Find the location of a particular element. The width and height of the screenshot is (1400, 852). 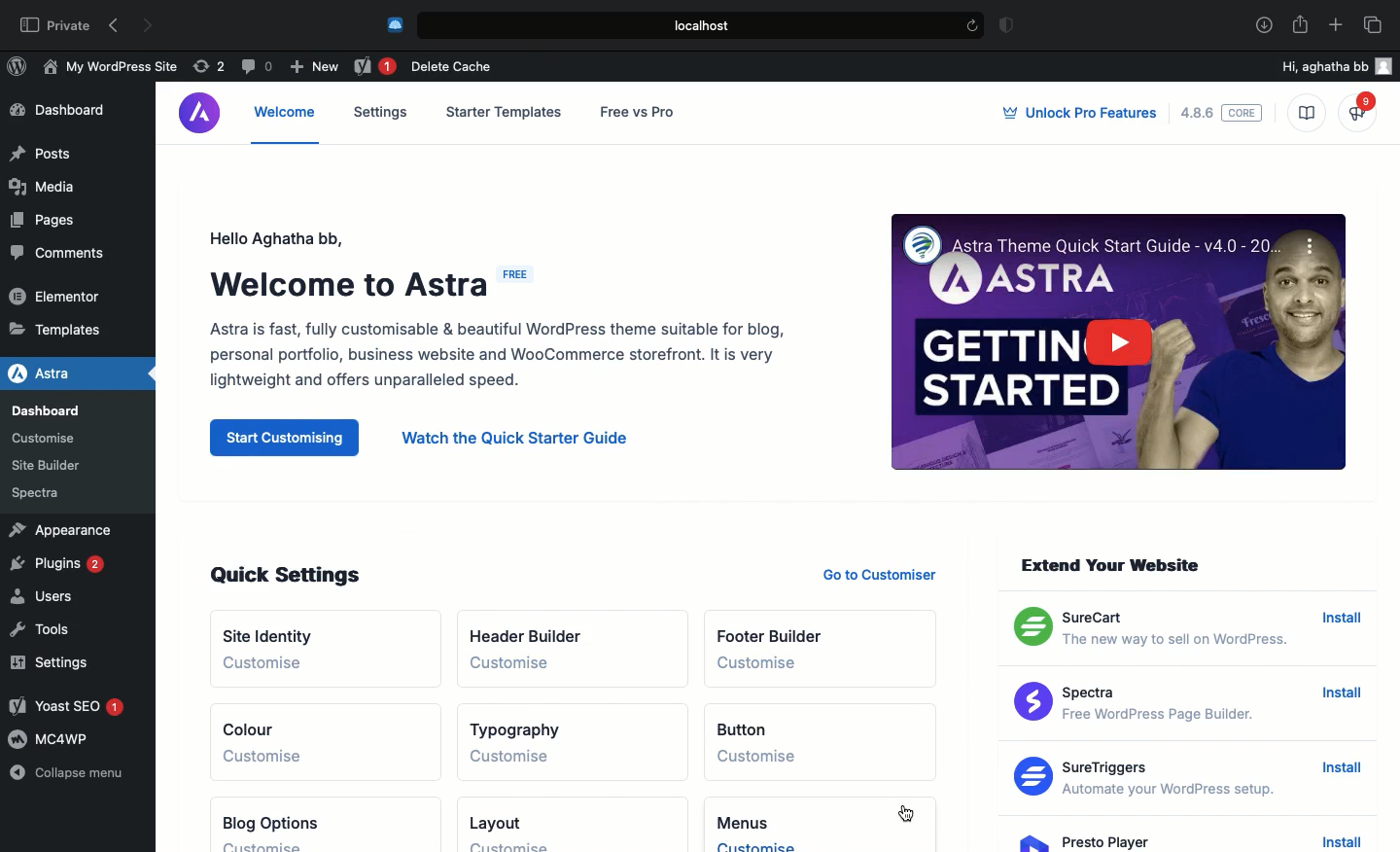

Customise is located at coordinates (526, 844).